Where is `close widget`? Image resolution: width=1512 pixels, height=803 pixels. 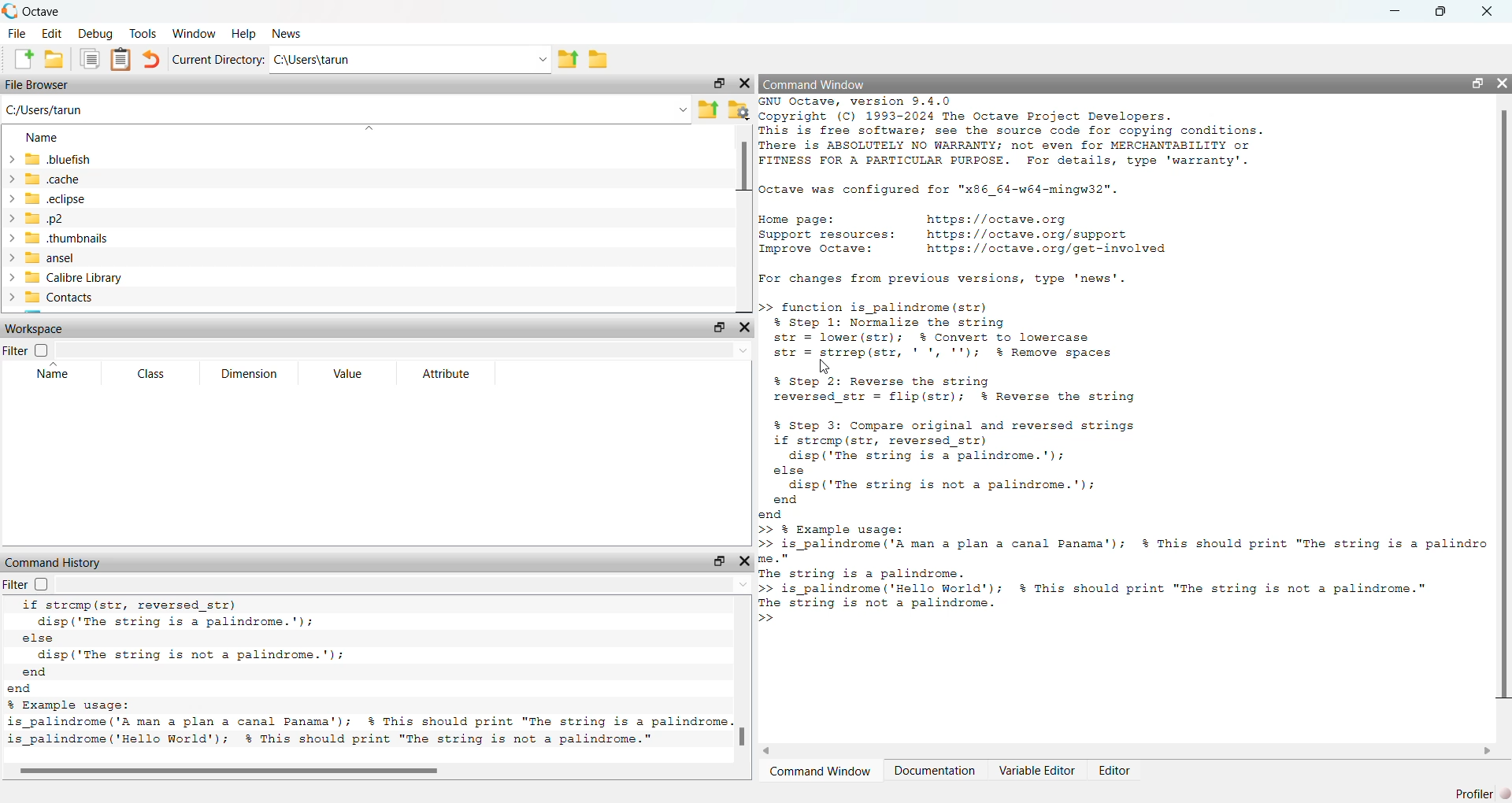 close widget is located at coordinates (745, 85).